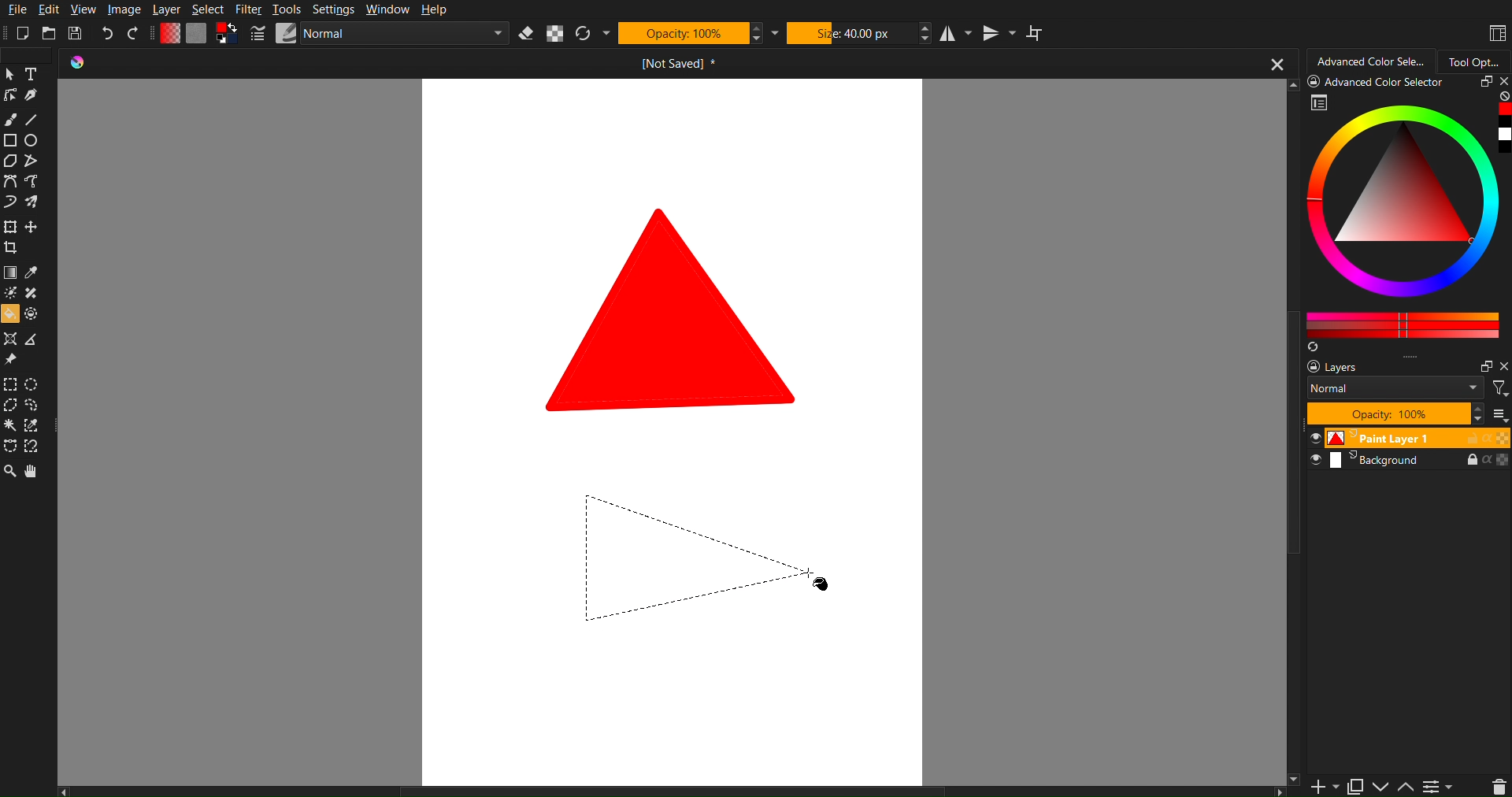 The width and height of the screenshot is (1512, 797). Describe the element at coordinates (9, 228) in the screenshot. I see `Square` at that location.